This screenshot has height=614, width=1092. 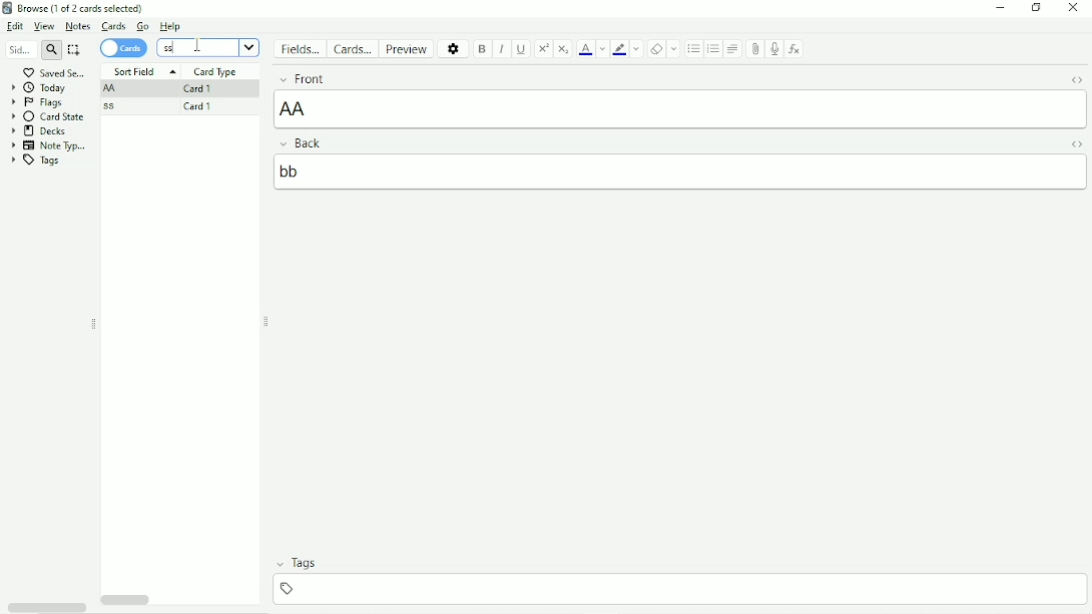 What do you see at coordinates (522, 49) in the screenshot?
I see `Underline` at bounding box center [522, 49].